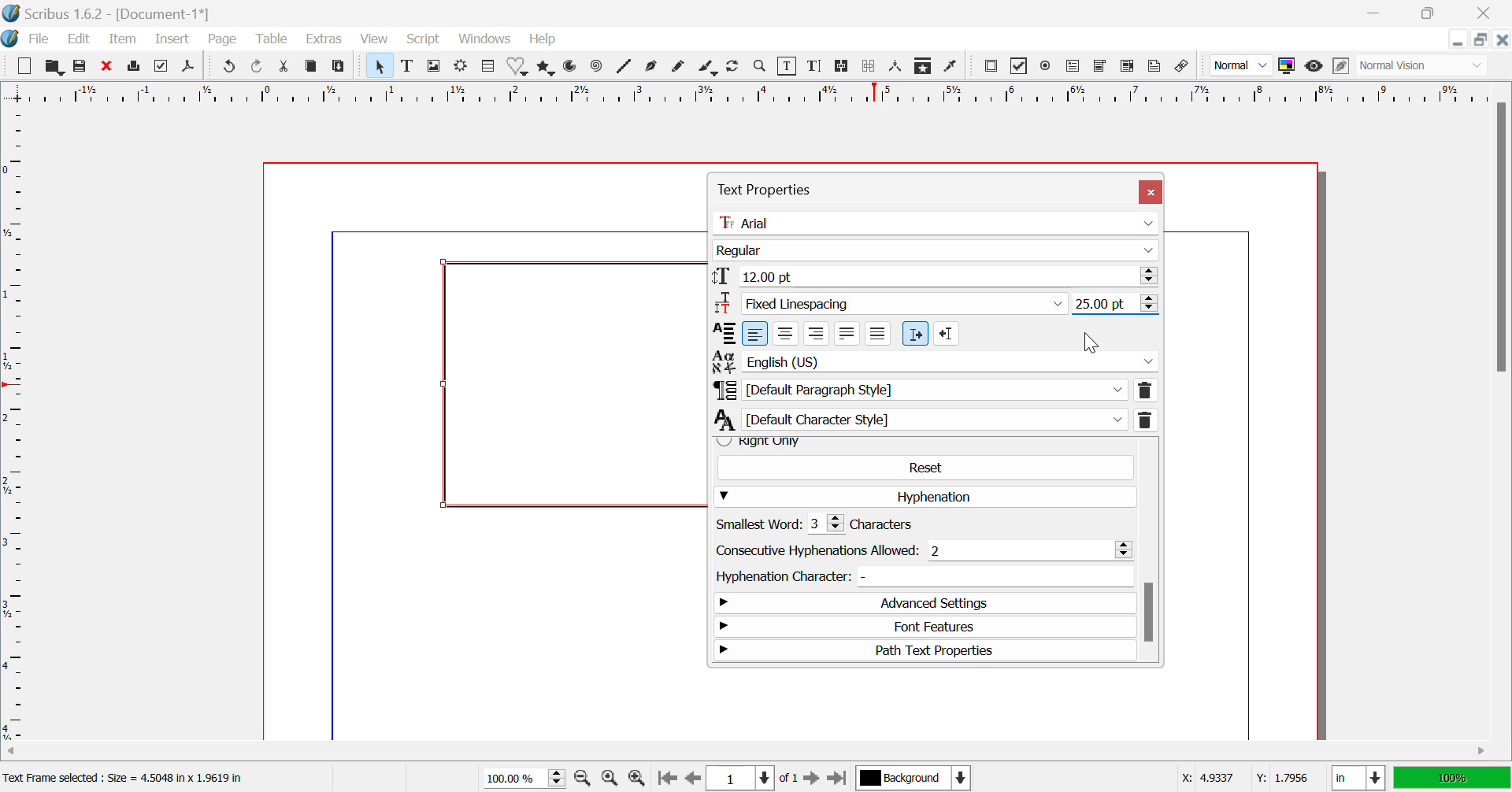  What do you see at coordinates (485, 39) in the screenshot?
I see `Windows` at bounding box center [485, 39].